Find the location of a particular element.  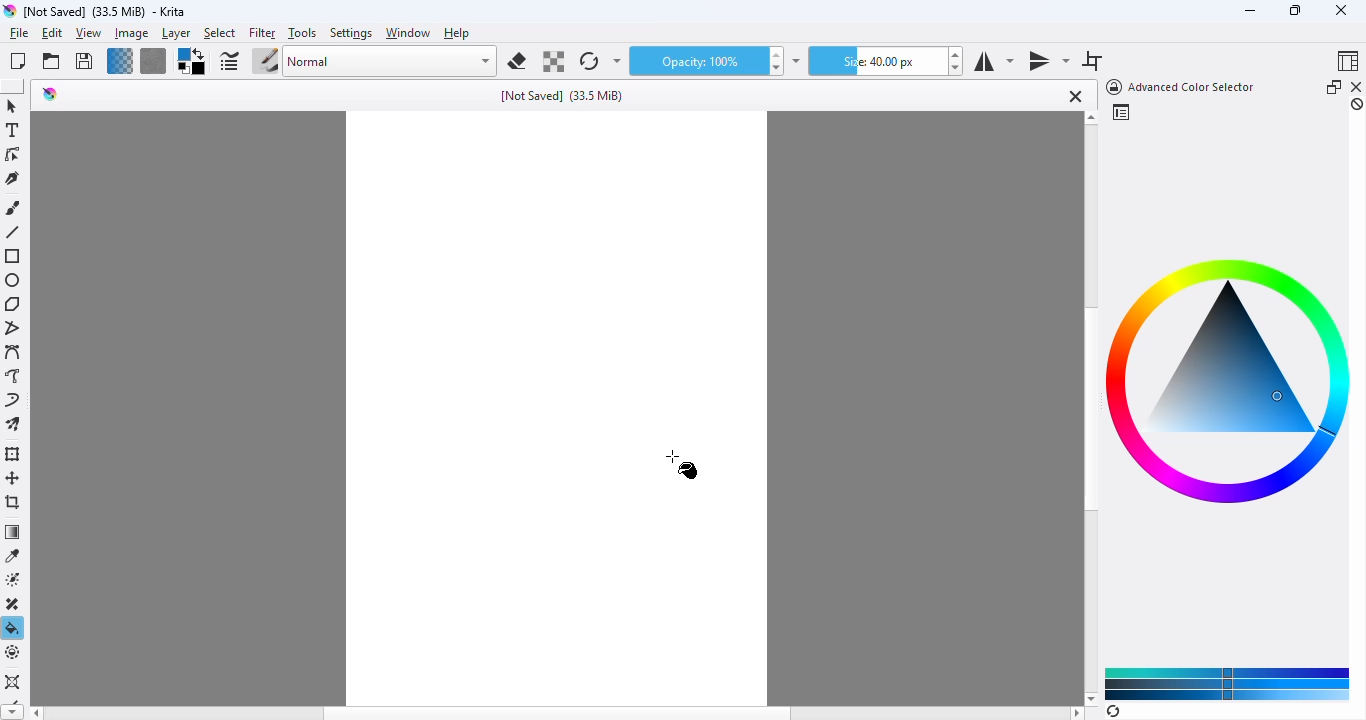

open an existing document is located at coordinates (51, 61).